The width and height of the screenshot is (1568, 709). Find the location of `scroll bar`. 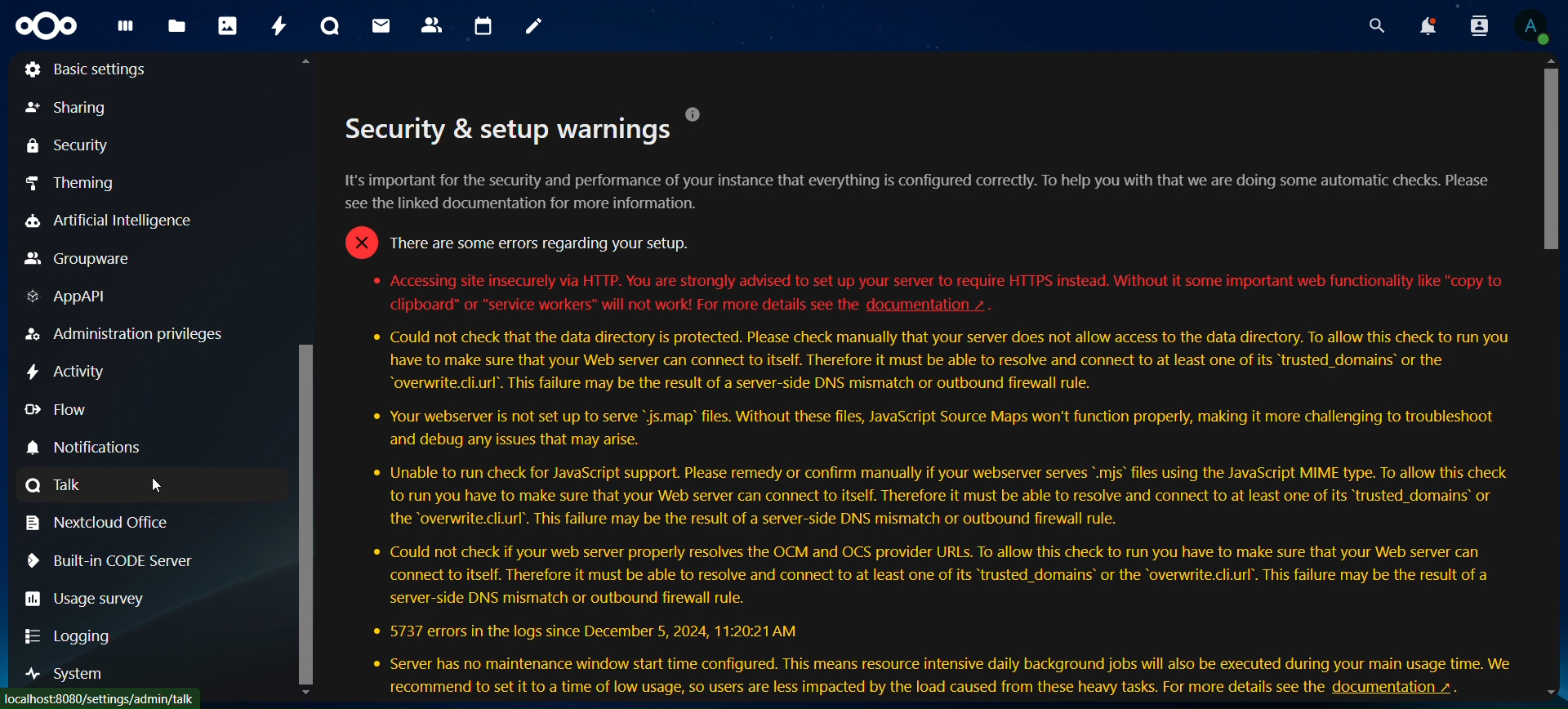

scroll bar is located at coordinates (1553, 378).